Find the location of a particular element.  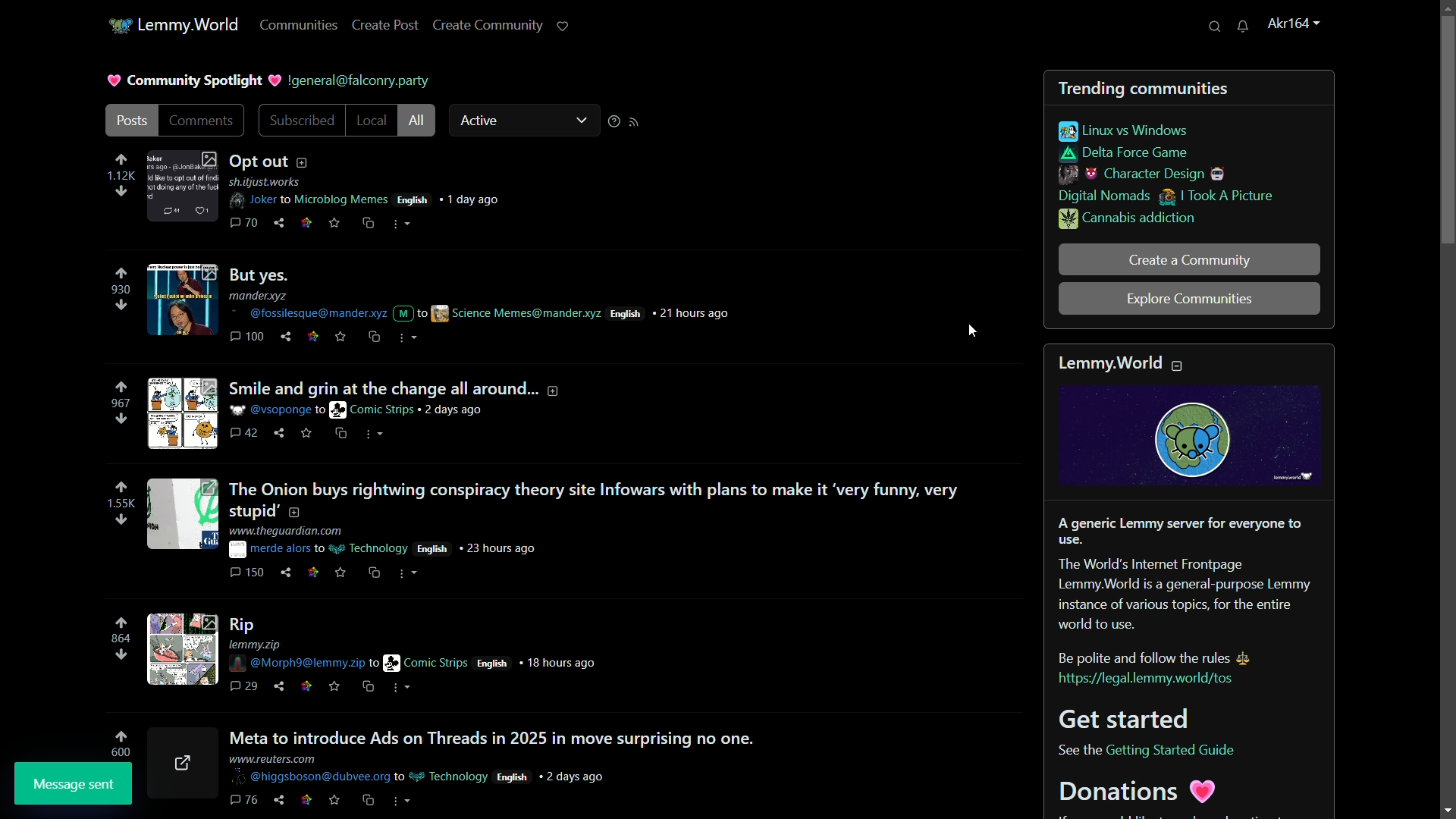

upvote is located at coordinates (122, 619).